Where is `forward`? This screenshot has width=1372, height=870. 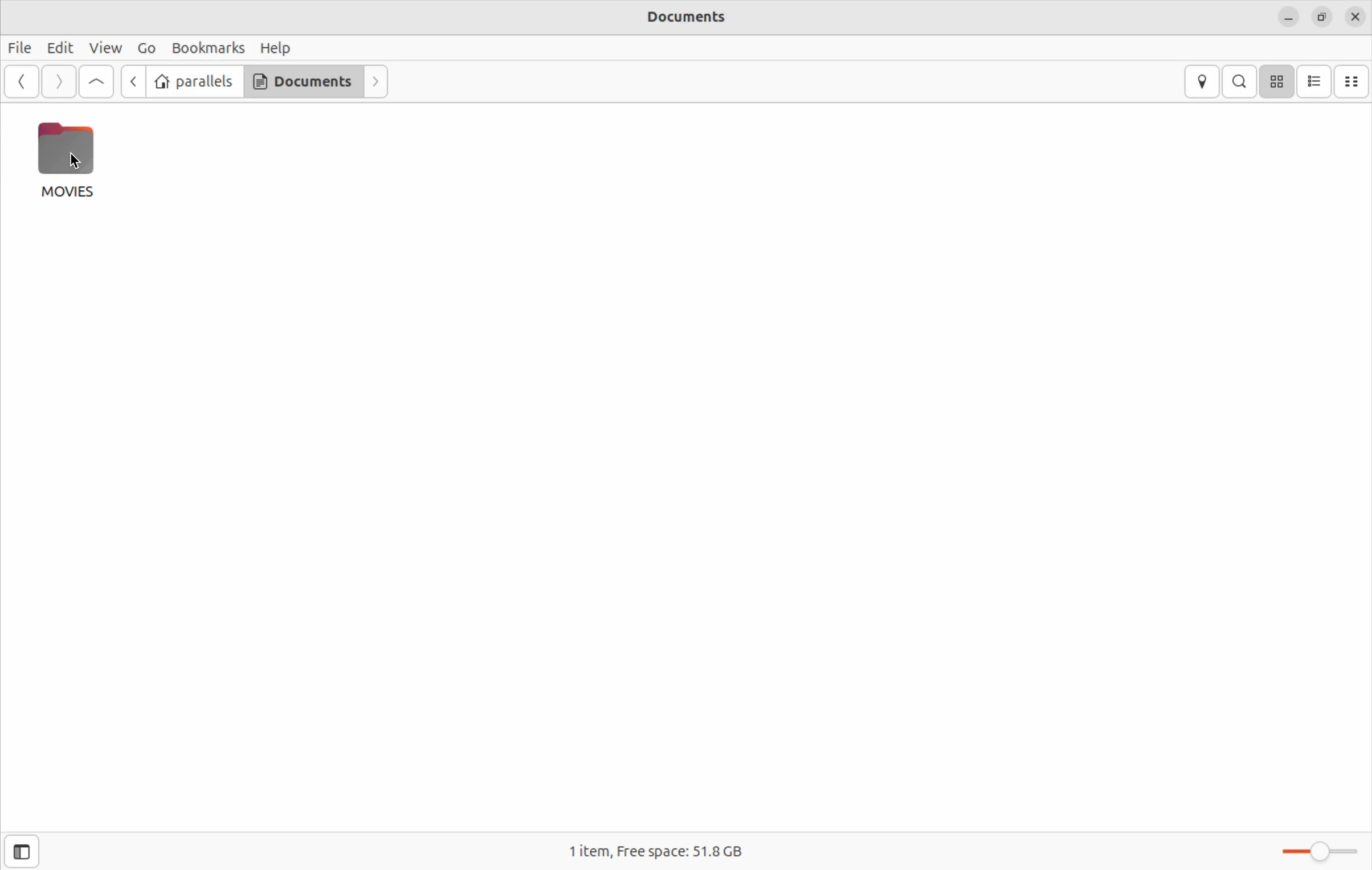 forward is located at coordinates (377, 83).